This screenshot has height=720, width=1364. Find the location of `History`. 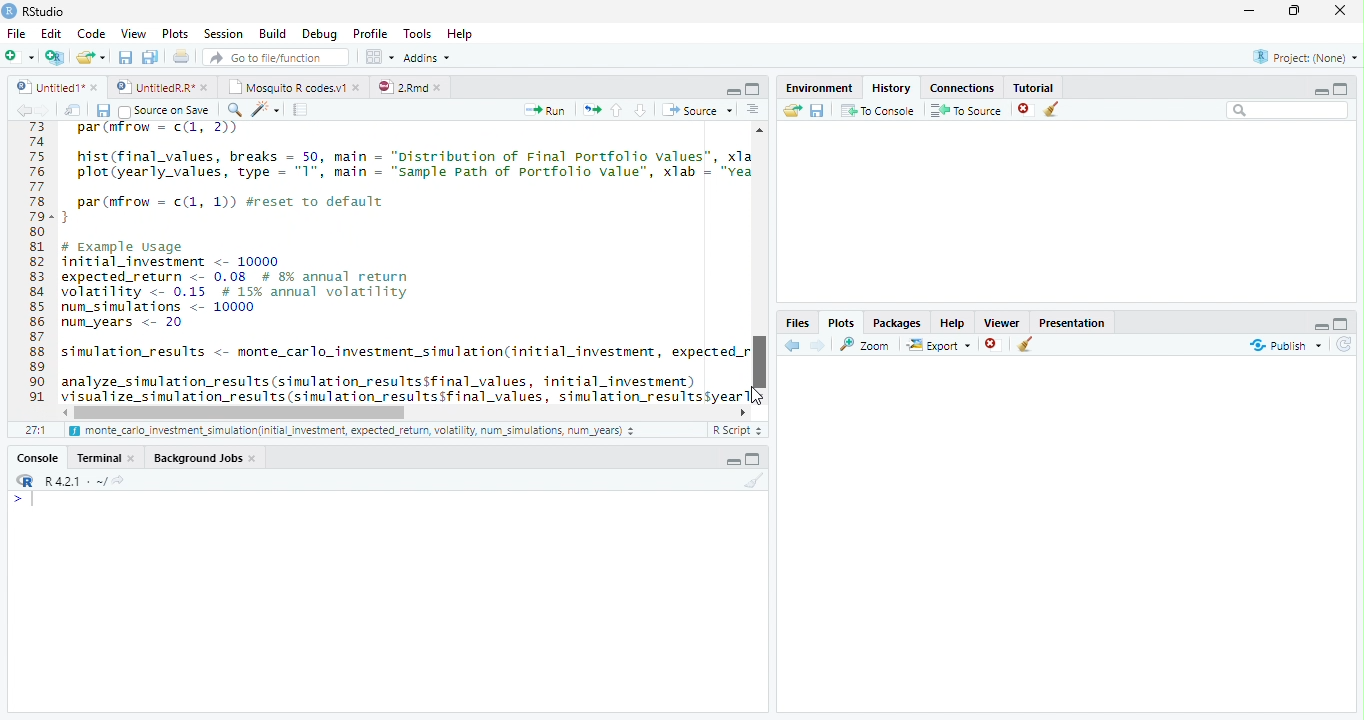

History is located at coordinates (890, 86).